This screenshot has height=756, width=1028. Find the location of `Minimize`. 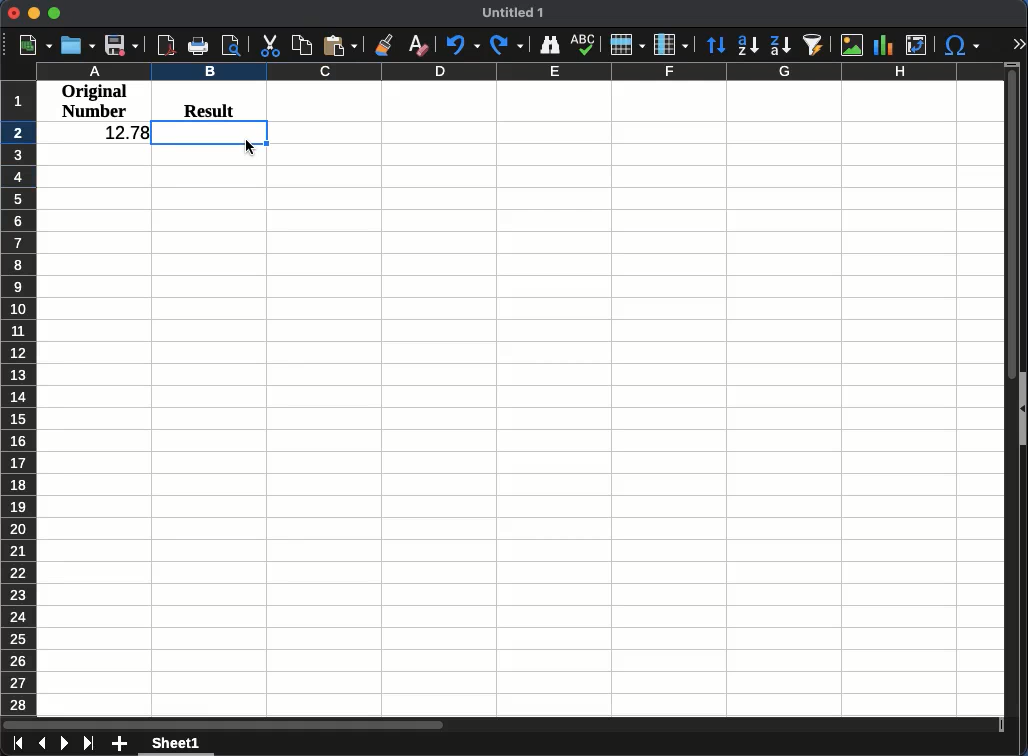

Minimize is located at coordinates (34, 14).